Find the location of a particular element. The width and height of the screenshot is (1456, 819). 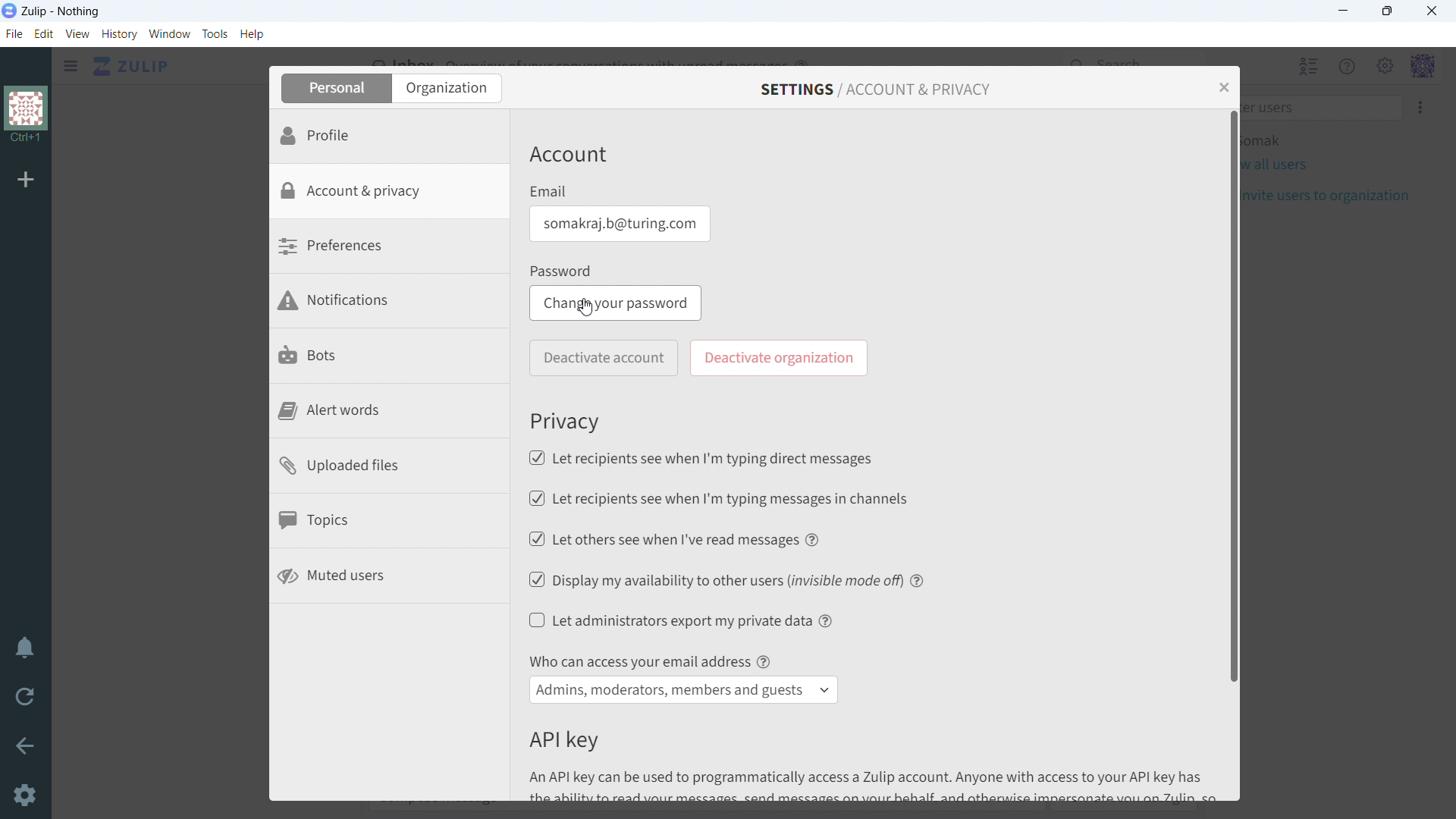

help is located at coordinates (814, 539).